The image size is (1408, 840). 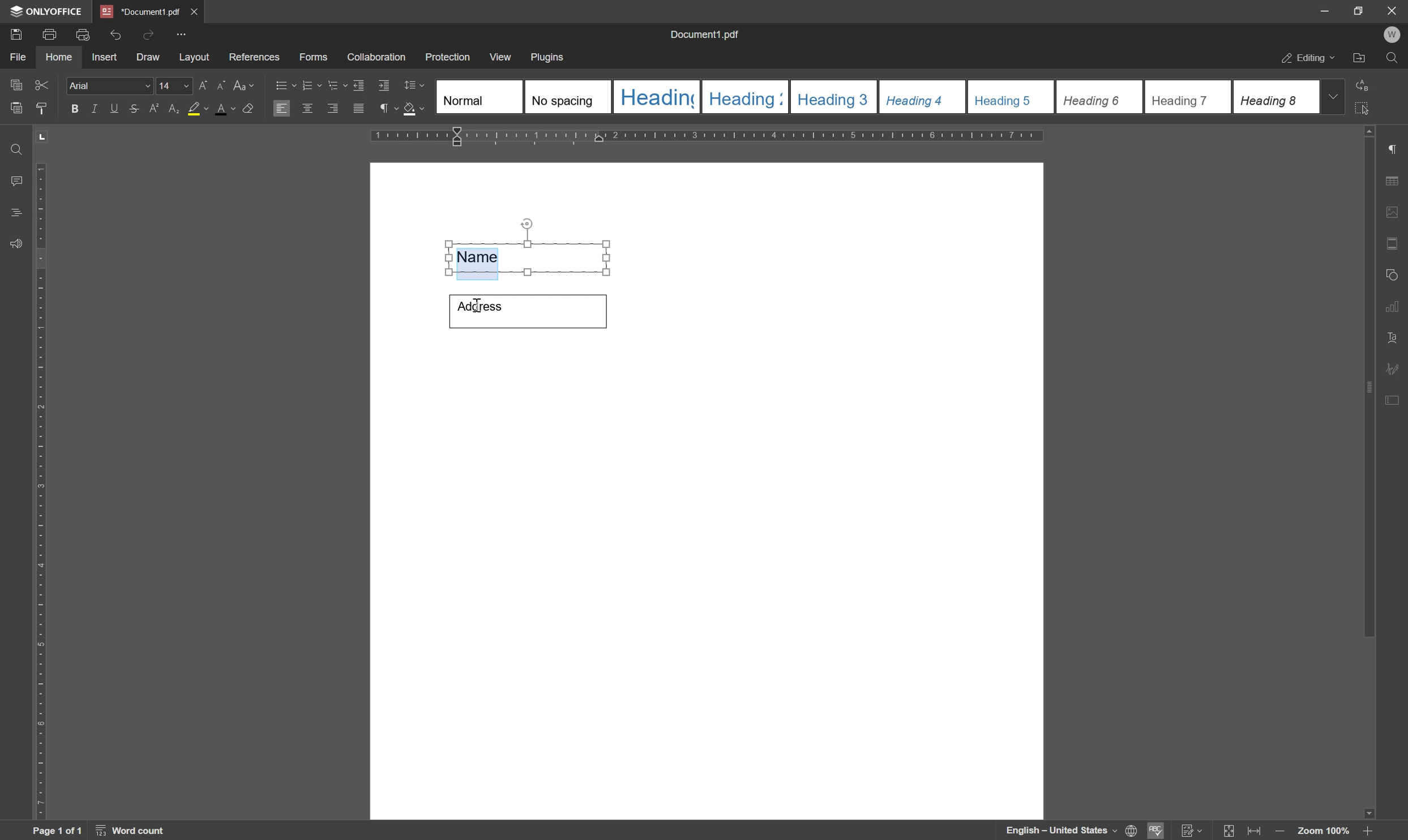 I want to click on *document1.pdf, so click(x=140, y=11).